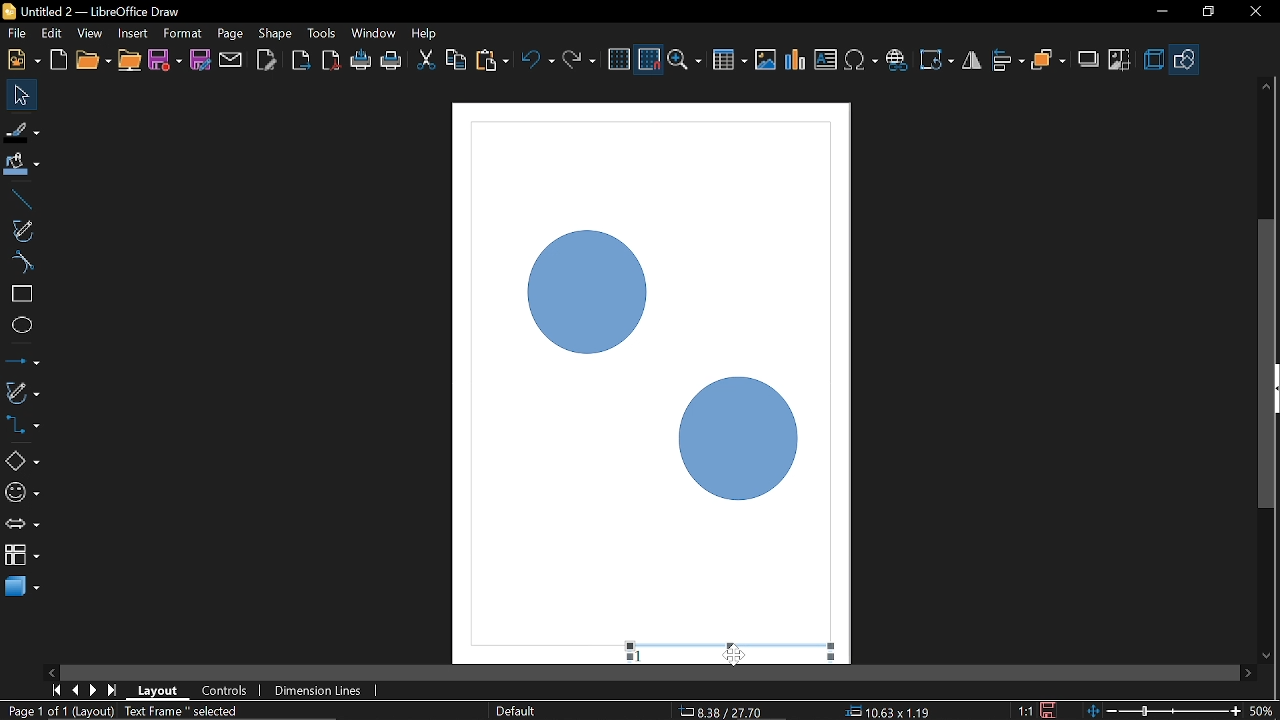  I want to click on Scaling factor, so click(1025, 711).